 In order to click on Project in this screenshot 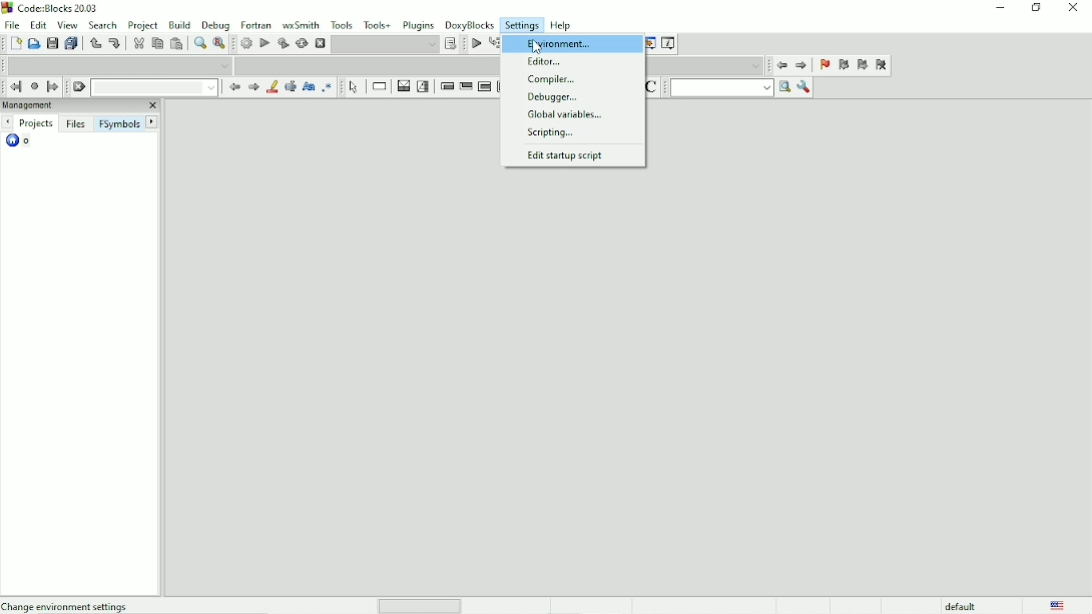, I will do `click(143, 26)`.